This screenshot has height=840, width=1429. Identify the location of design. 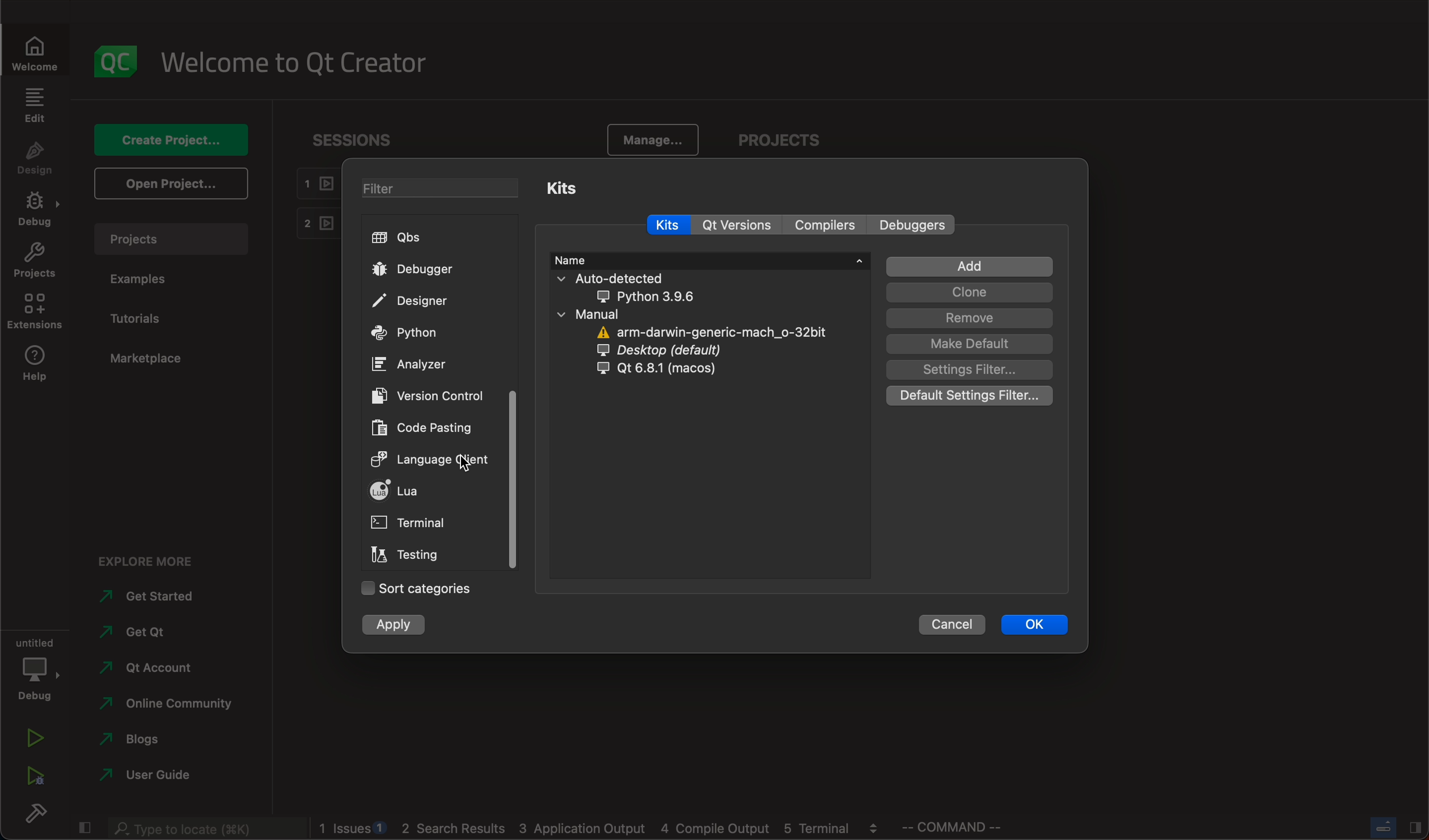
(36, 159).